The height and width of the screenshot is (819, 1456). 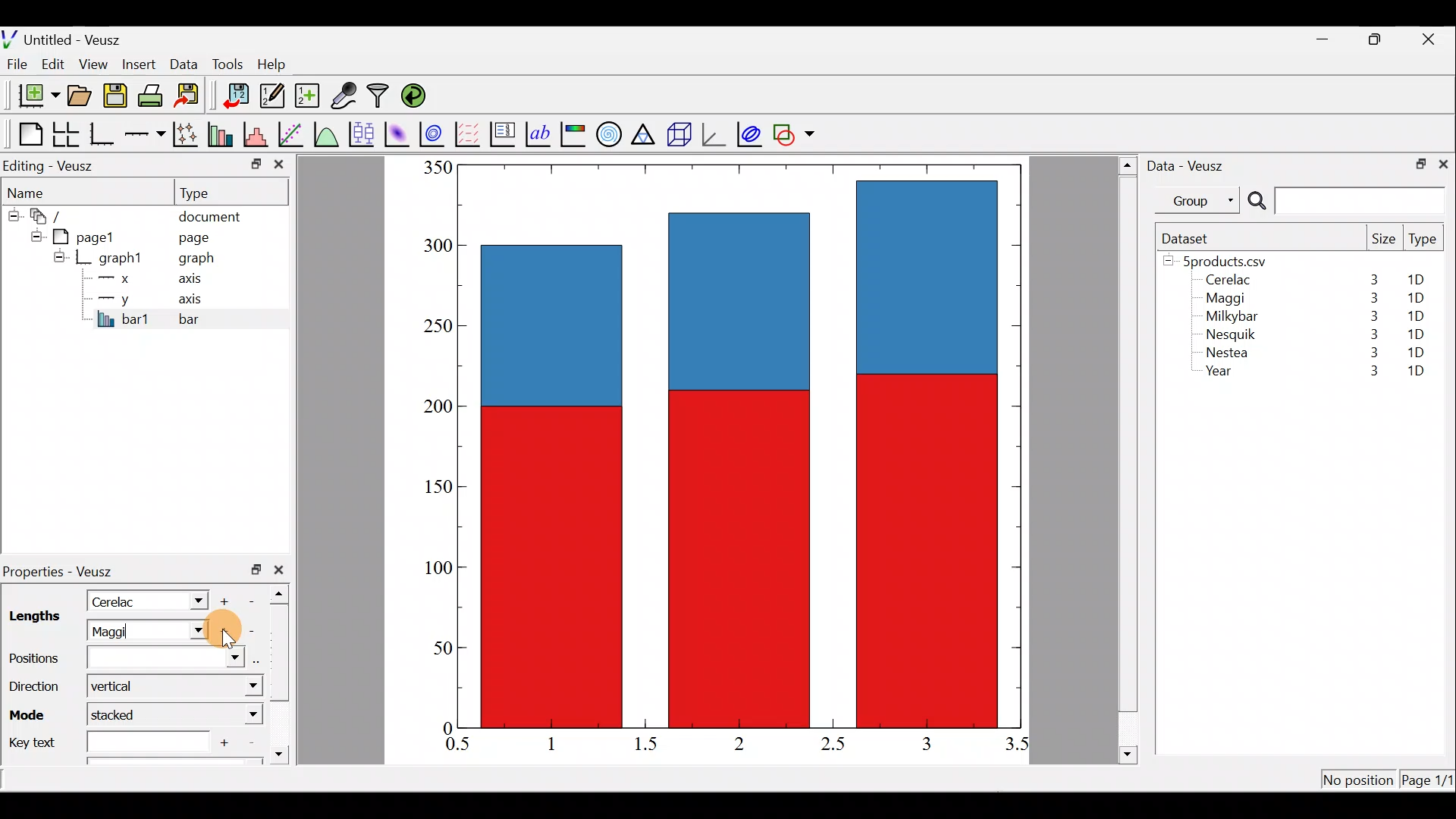 I want to click on minimize, so click(x=1330, y=38).